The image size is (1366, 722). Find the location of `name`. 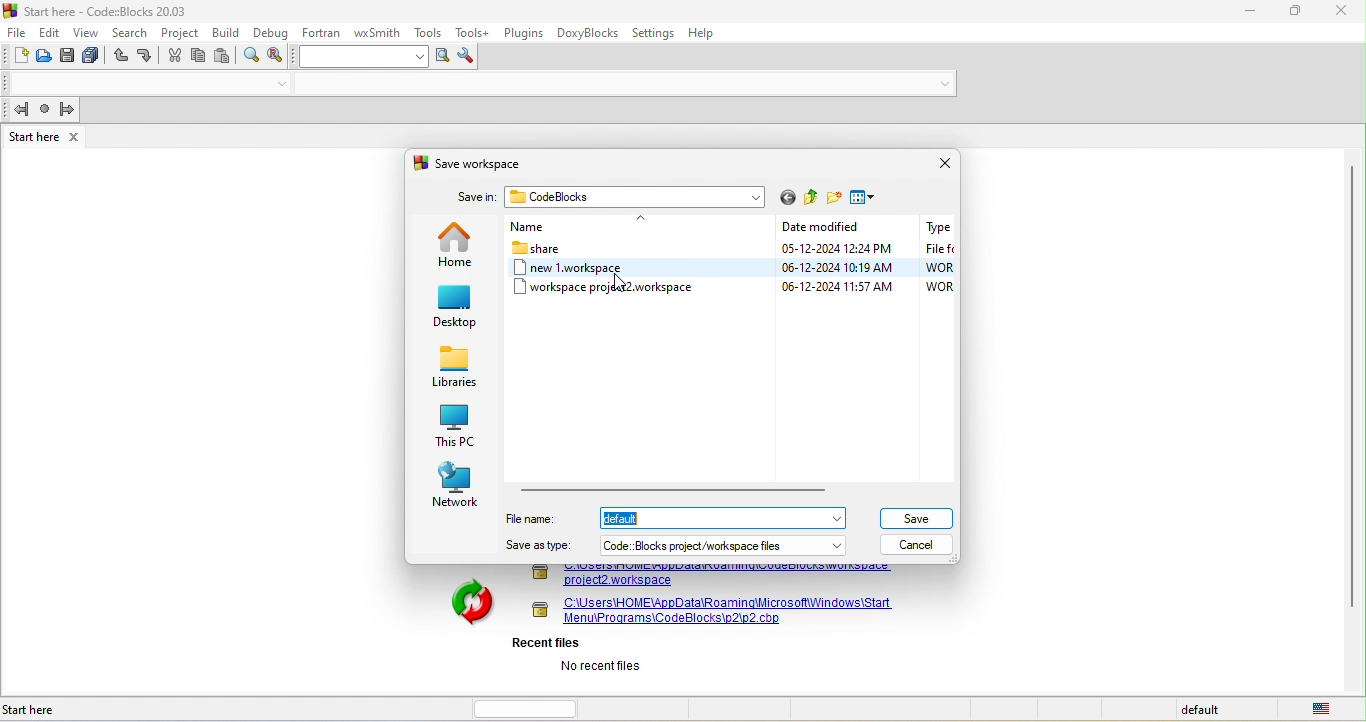

name is located at coordinates (595, 228).